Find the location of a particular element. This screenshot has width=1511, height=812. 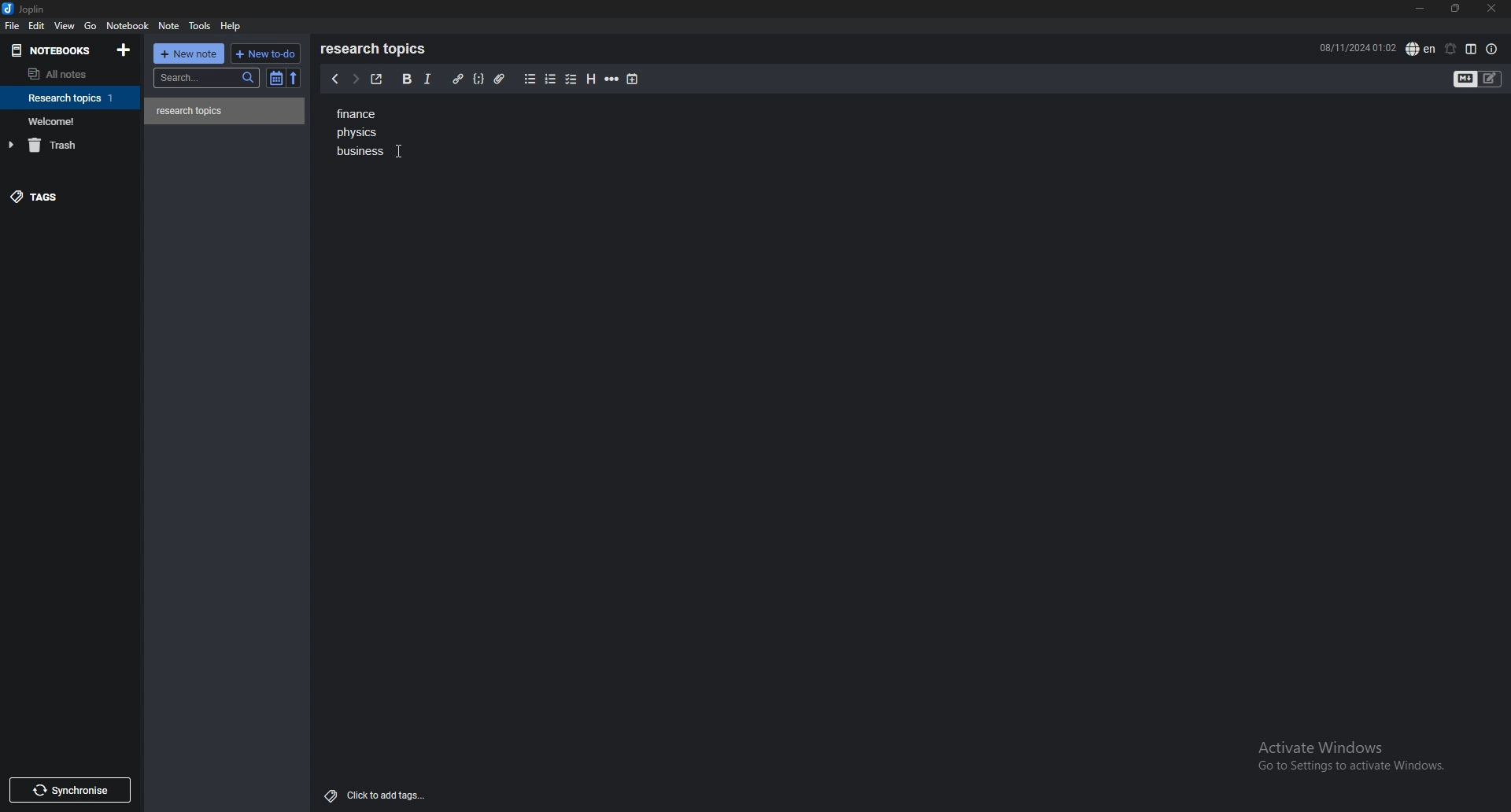

search bar is located at coordinates (208, 77).